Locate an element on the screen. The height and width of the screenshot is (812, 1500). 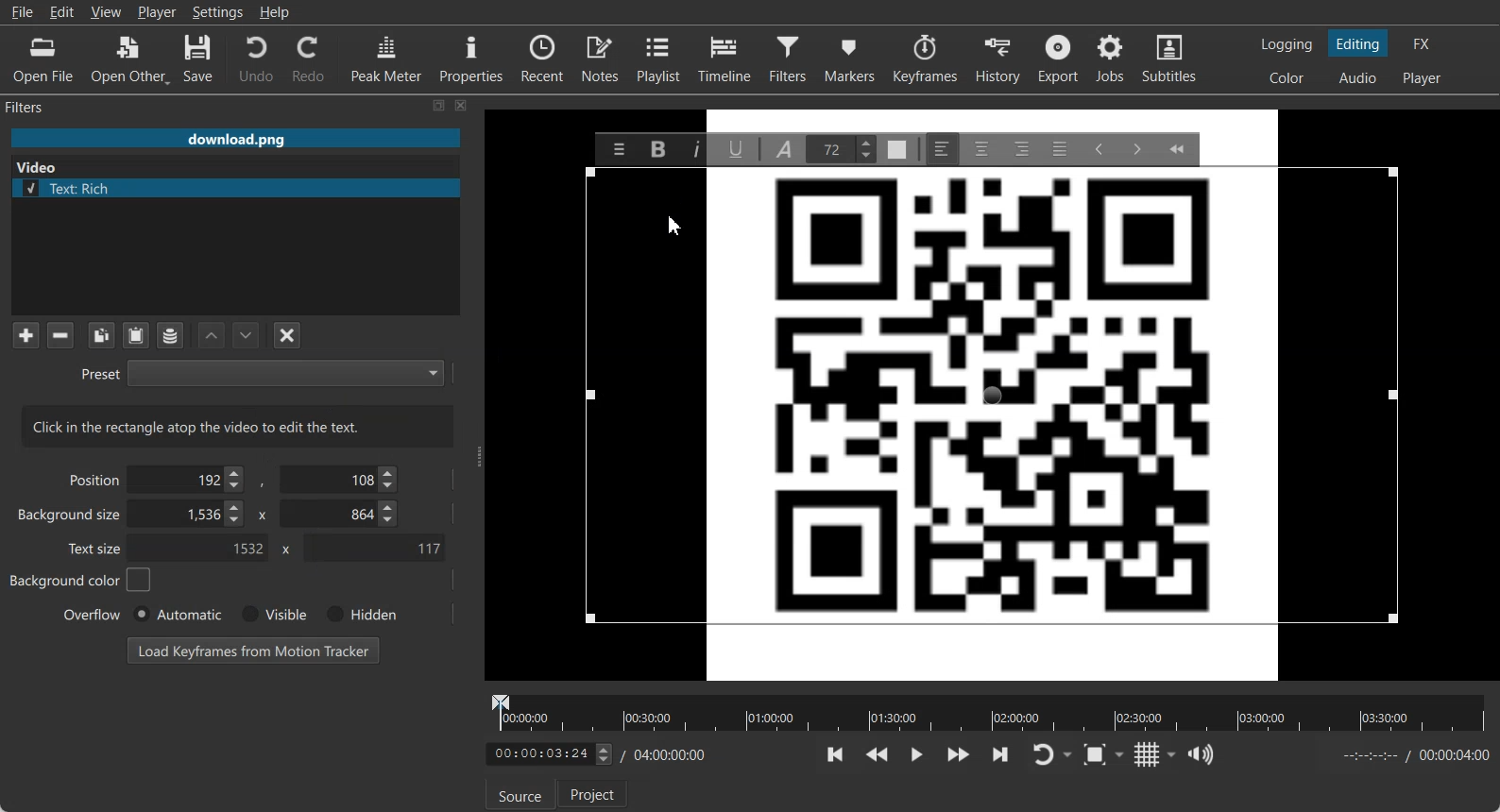
Italic is located at coordinates (695, 149).